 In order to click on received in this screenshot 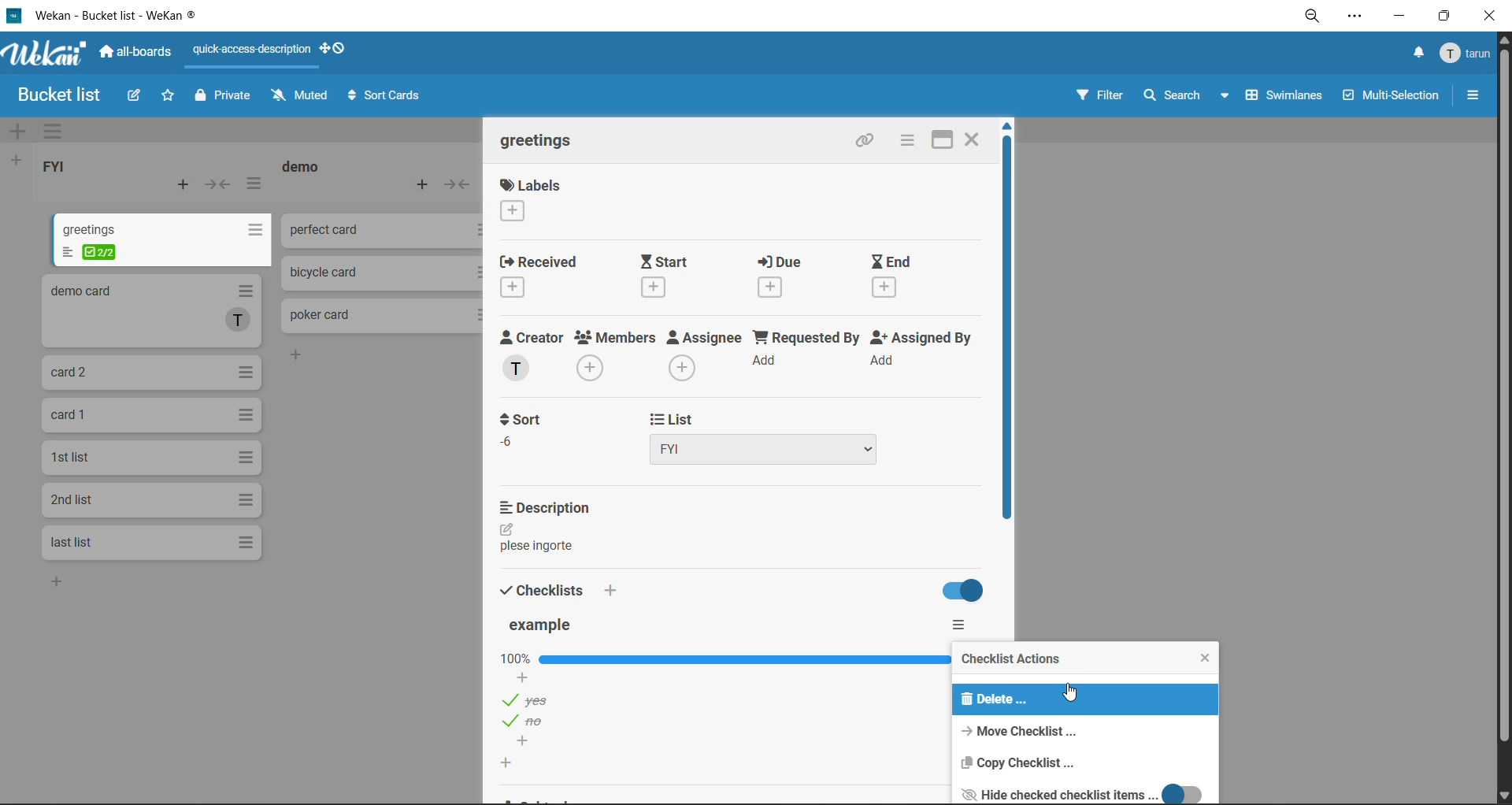, I will do `click(537, 276)`.